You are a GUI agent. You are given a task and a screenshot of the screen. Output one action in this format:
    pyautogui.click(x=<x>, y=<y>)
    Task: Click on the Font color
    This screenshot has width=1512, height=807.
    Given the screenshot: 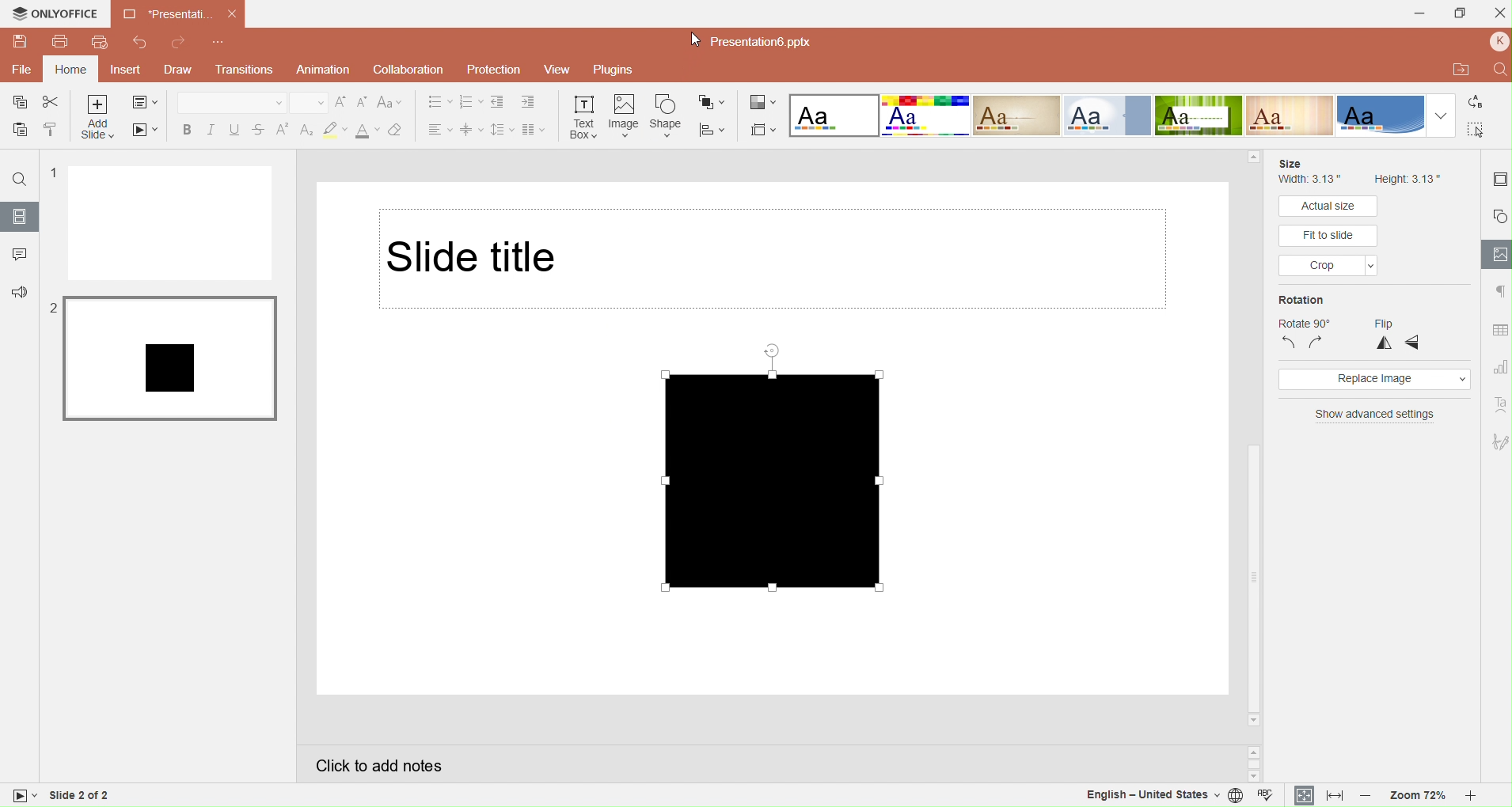 What is the action you would take?
    pyautogui.click(x=366, y=129)
    